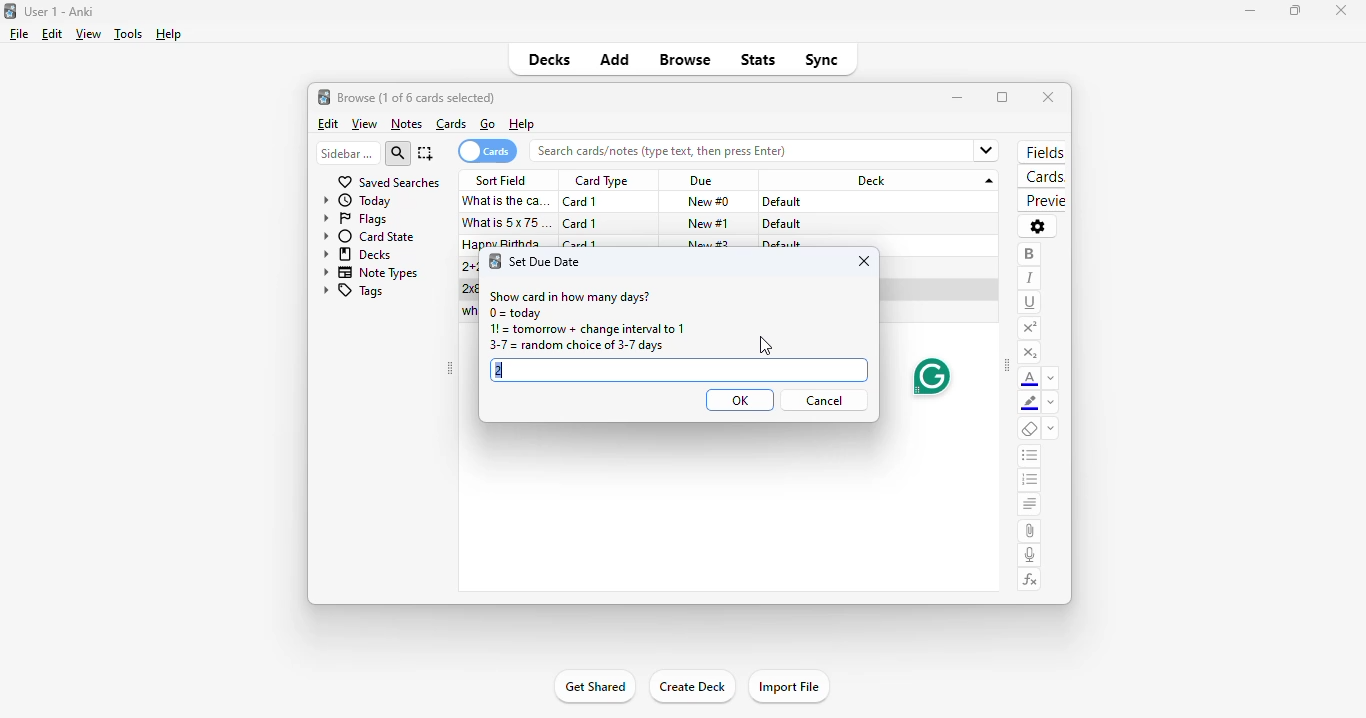  Describe the element at coordinates (1030, 555) in the screenshot. I see `record audio` at that location.